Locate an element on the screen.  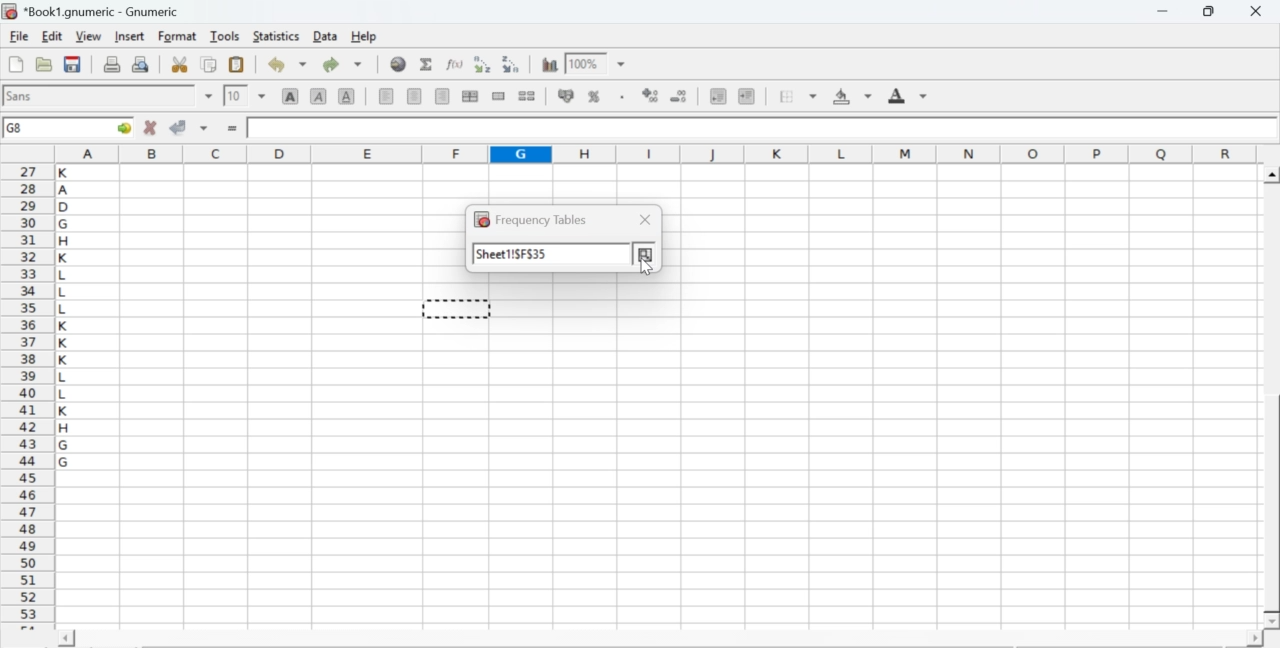
save current workbook is located at coordinates (73, 64).